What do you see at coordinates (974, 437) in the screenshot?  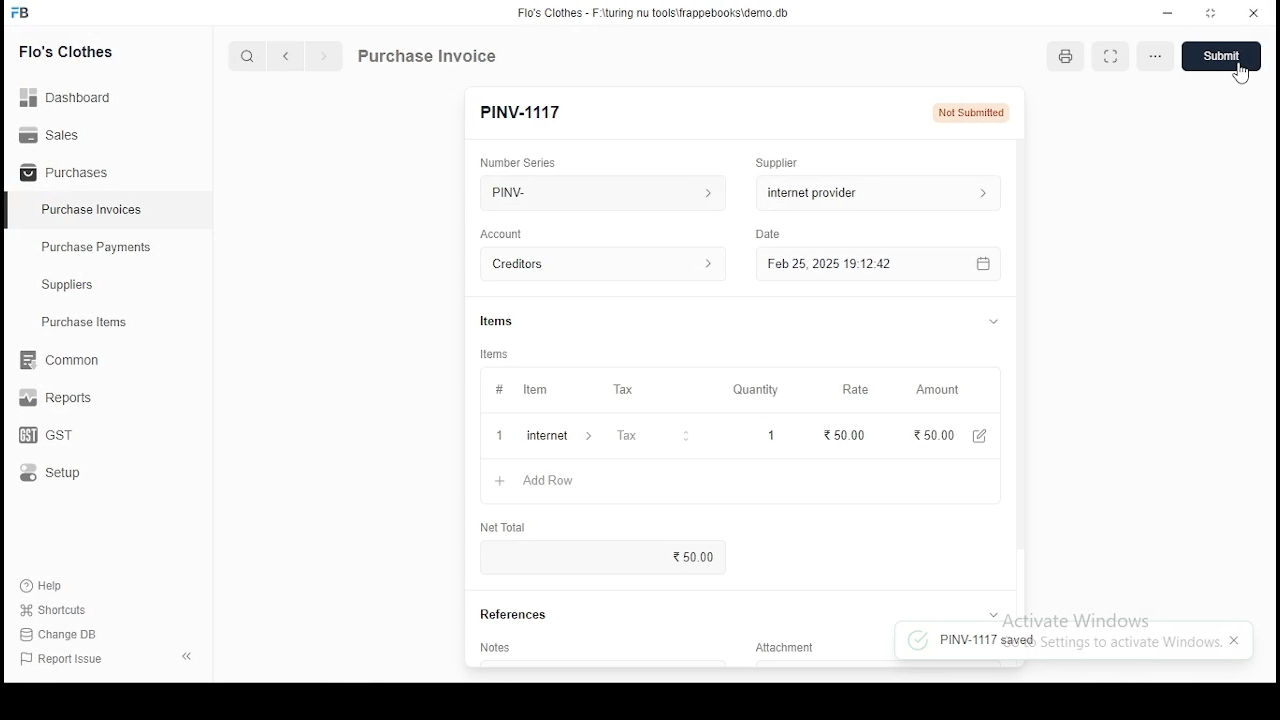 I see `edit` at bounding box center [974, 437].